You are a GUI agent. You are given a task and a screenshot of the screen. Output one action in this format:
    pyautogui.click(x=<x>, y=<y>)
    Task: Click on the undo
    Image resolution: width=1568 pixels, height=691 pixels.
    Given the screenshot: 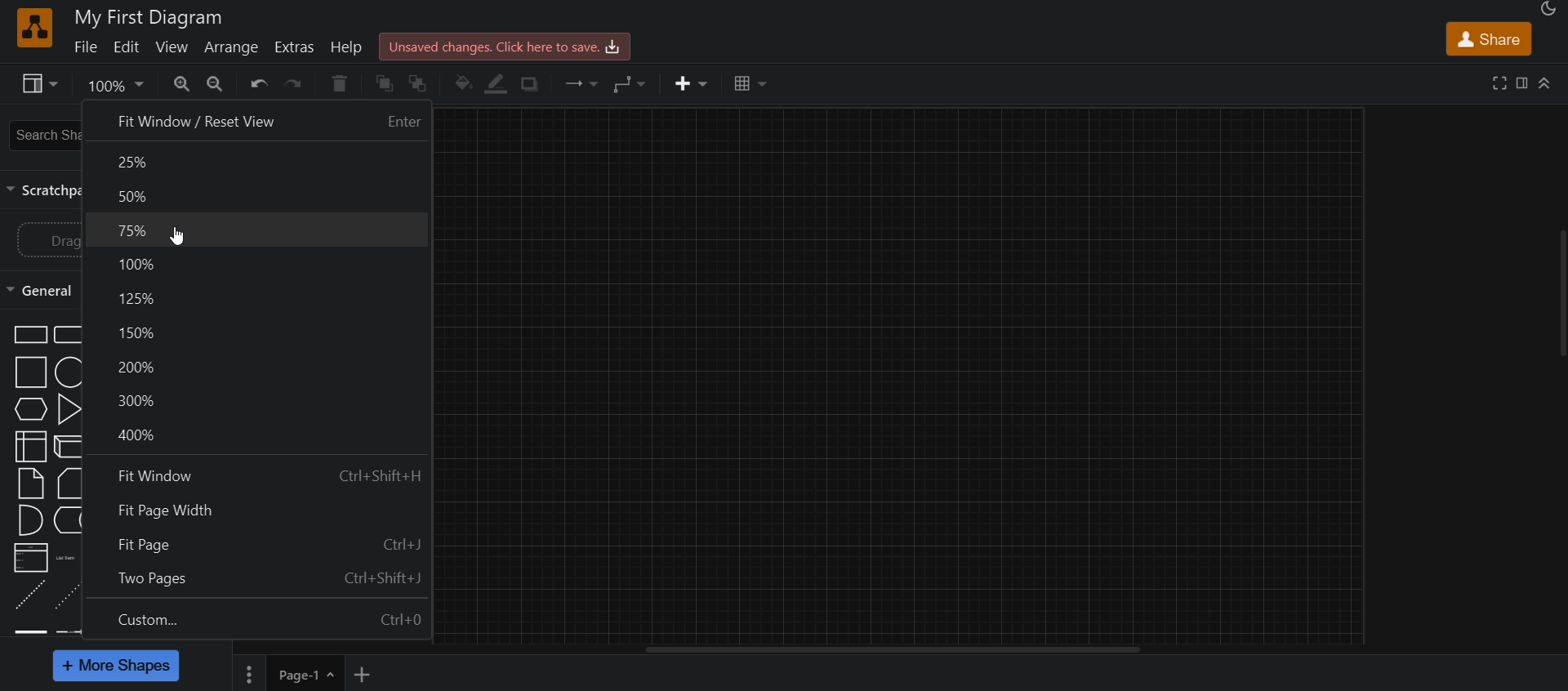 What is the action you would take?
    pyautogui.click(x=258, y=84)
    